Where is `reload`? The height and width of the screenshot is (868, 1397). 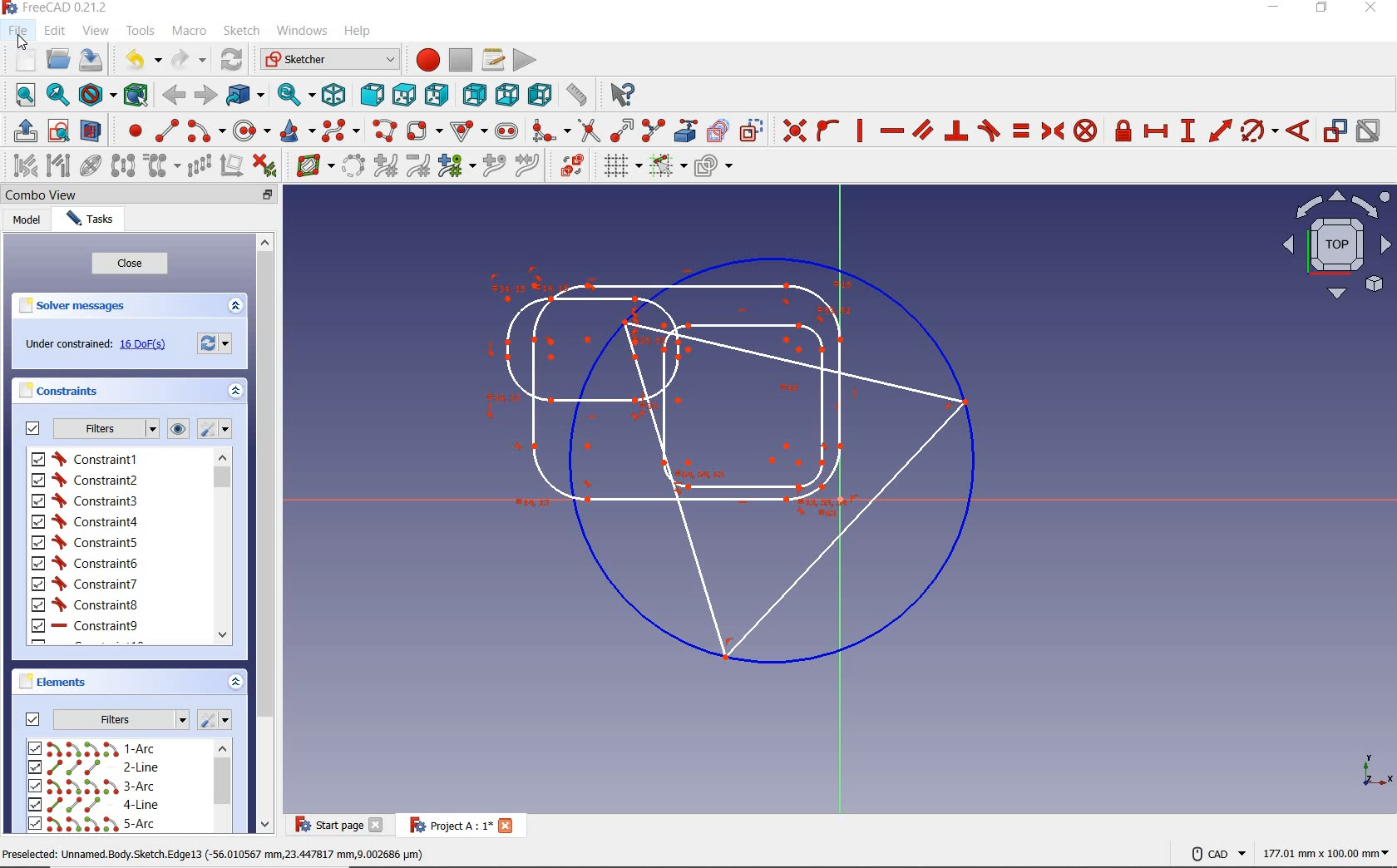
reload is located at coordinates (230, 60).